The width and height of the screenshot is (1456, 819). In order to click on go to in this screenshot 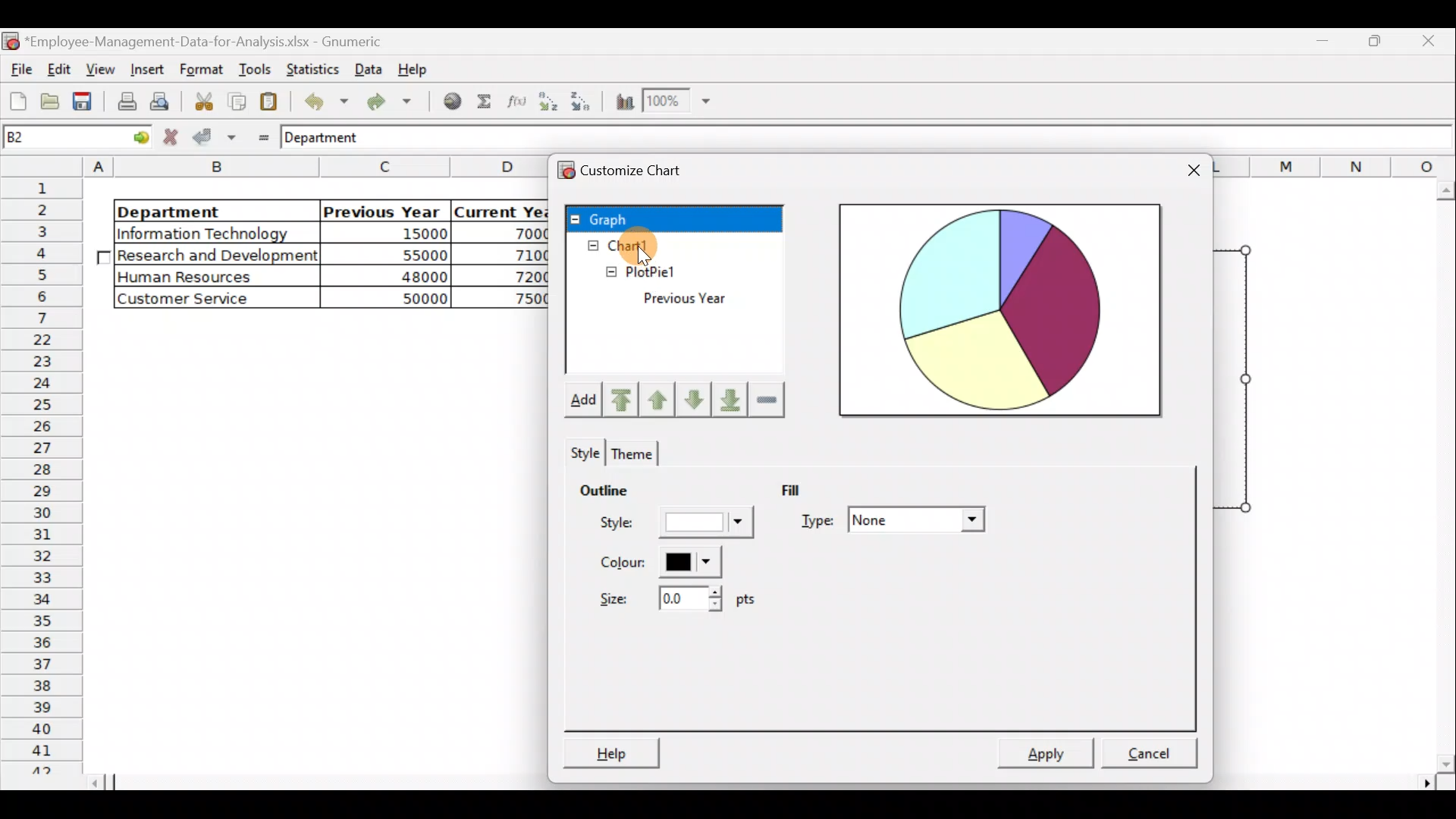, I will do `click(132, 139)`.